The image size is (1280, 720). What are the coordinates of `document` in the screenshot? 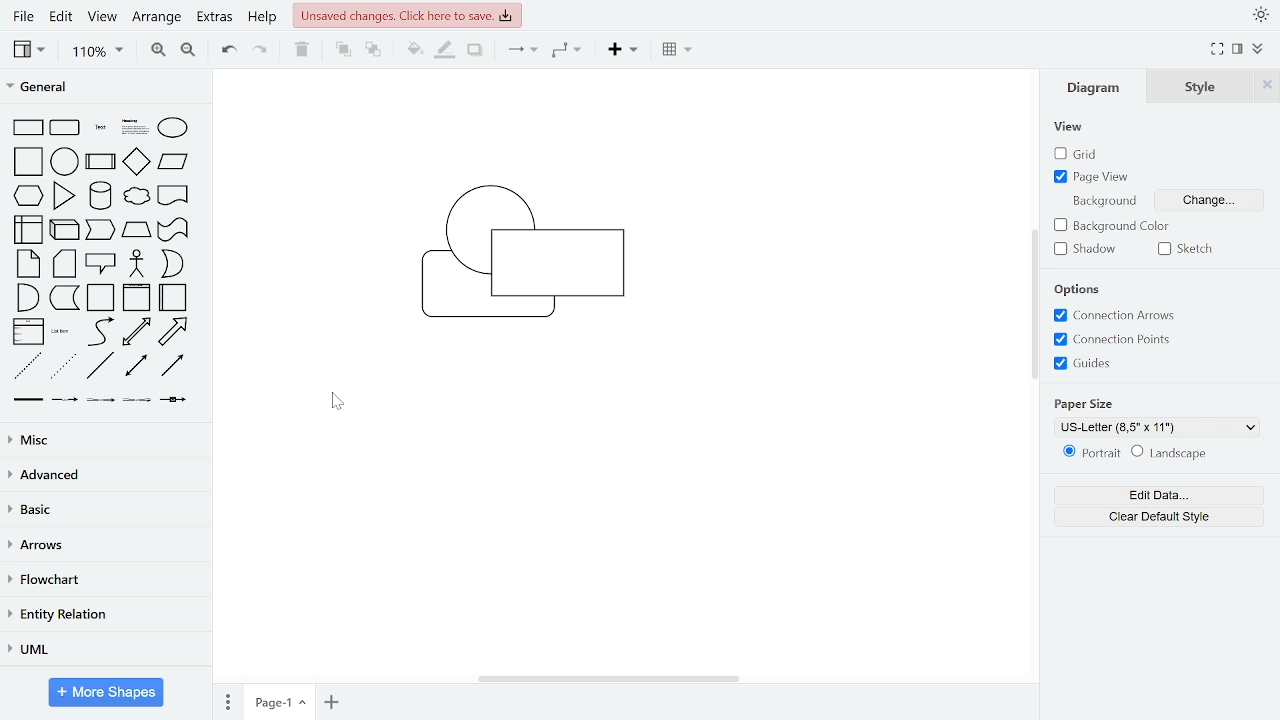 It's located at (174, 197).